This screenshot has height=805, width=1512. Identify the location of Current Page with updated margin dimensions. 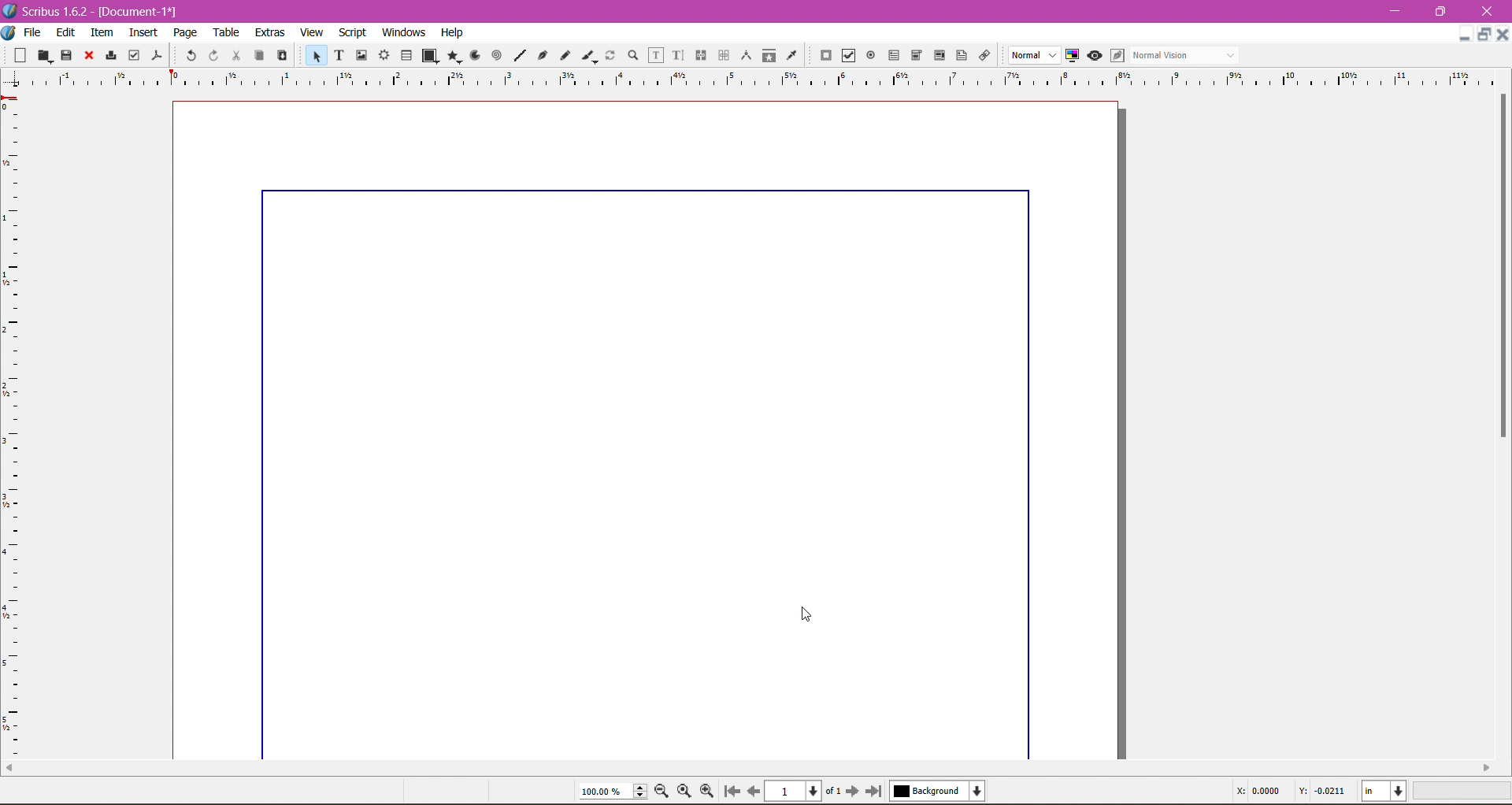
(647, 429).